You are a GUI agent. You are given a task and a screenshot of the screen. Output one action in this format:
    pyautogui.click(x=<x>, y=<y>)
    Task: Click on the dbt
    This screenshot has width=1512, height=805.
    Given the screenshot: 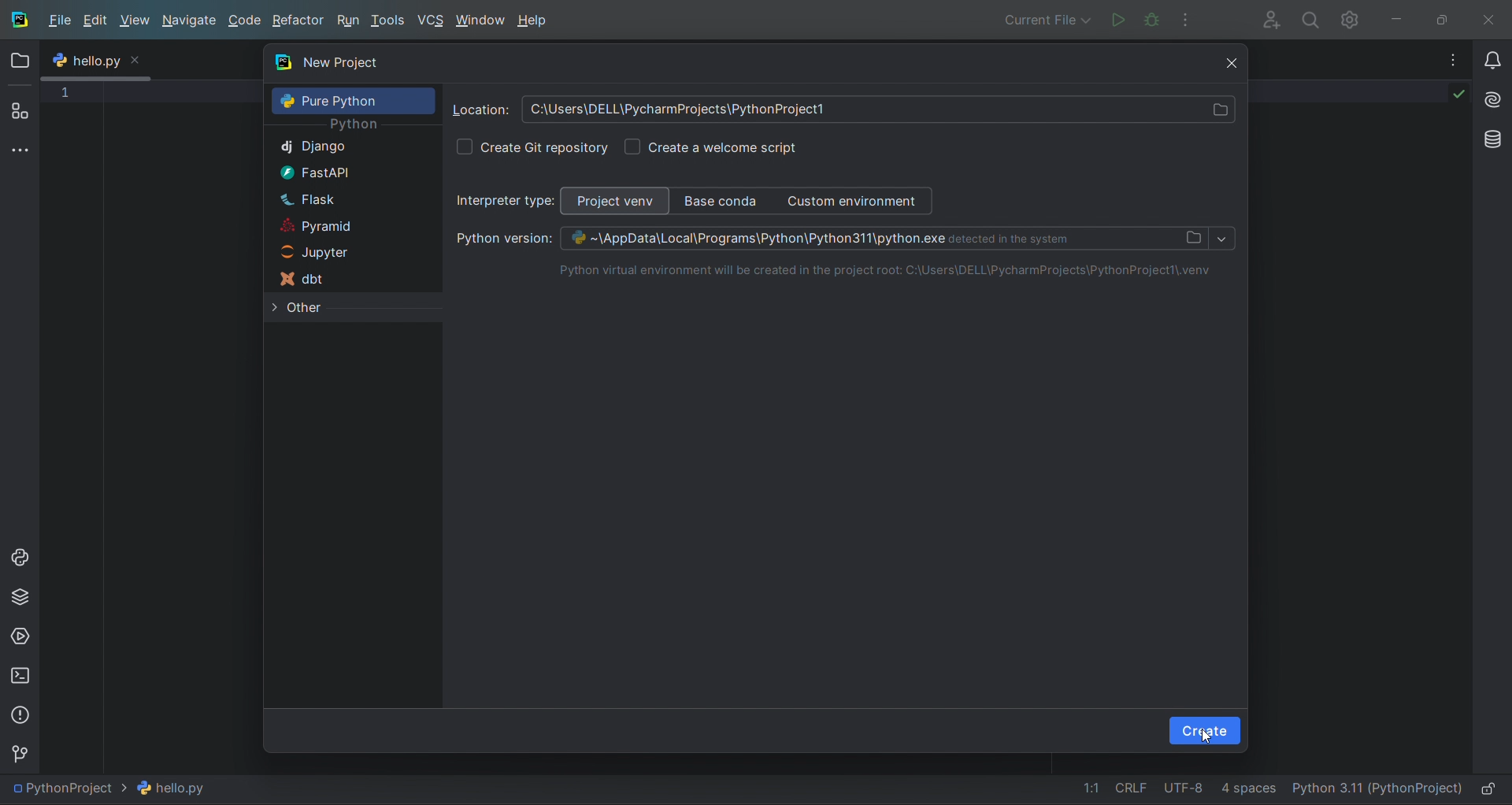 What is the action you would take?
    pyautogui.click(x=346, y=278)
    